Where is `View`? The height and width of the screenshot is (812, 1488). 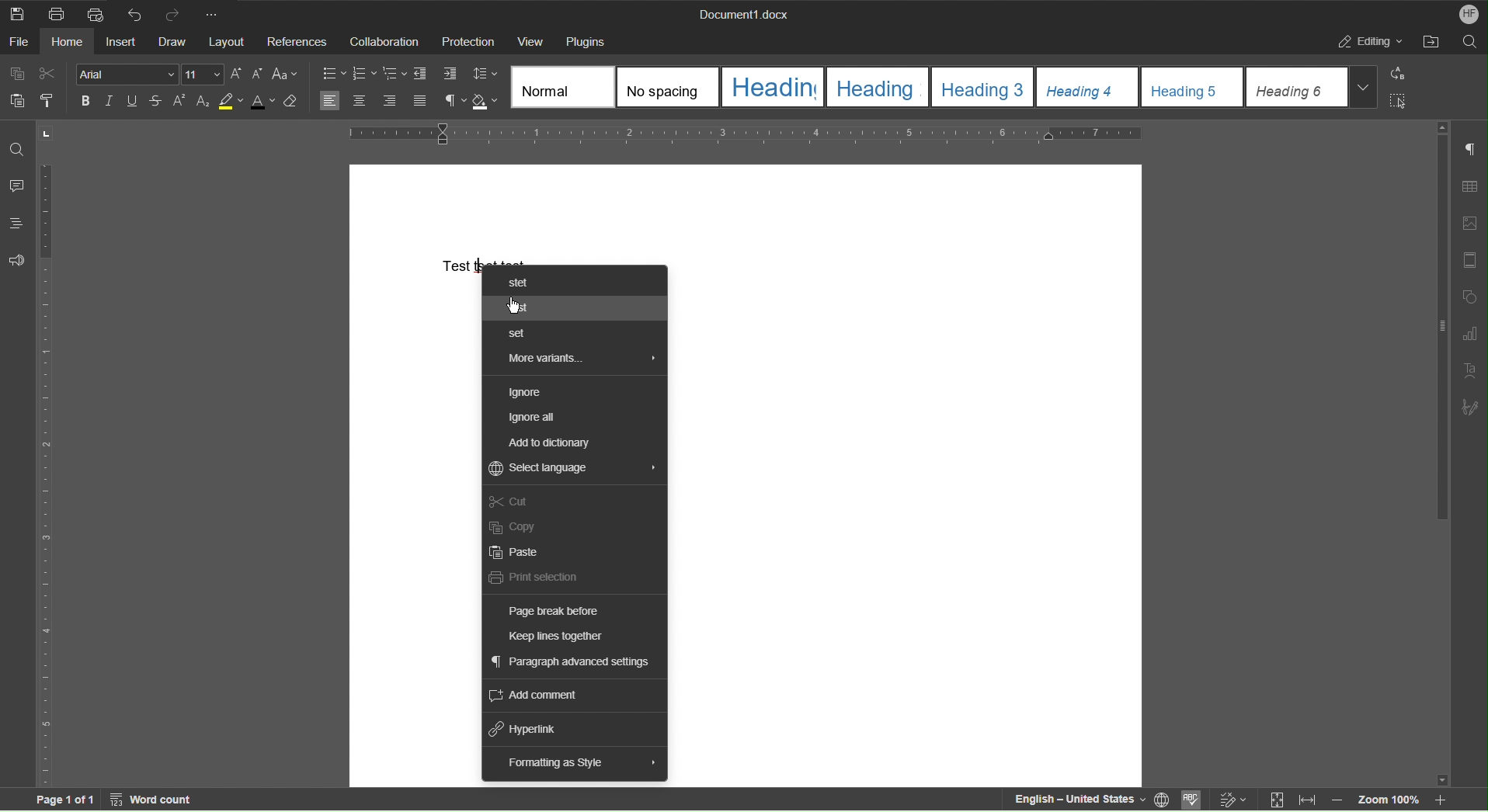
View is located at coordinates (532, 41).